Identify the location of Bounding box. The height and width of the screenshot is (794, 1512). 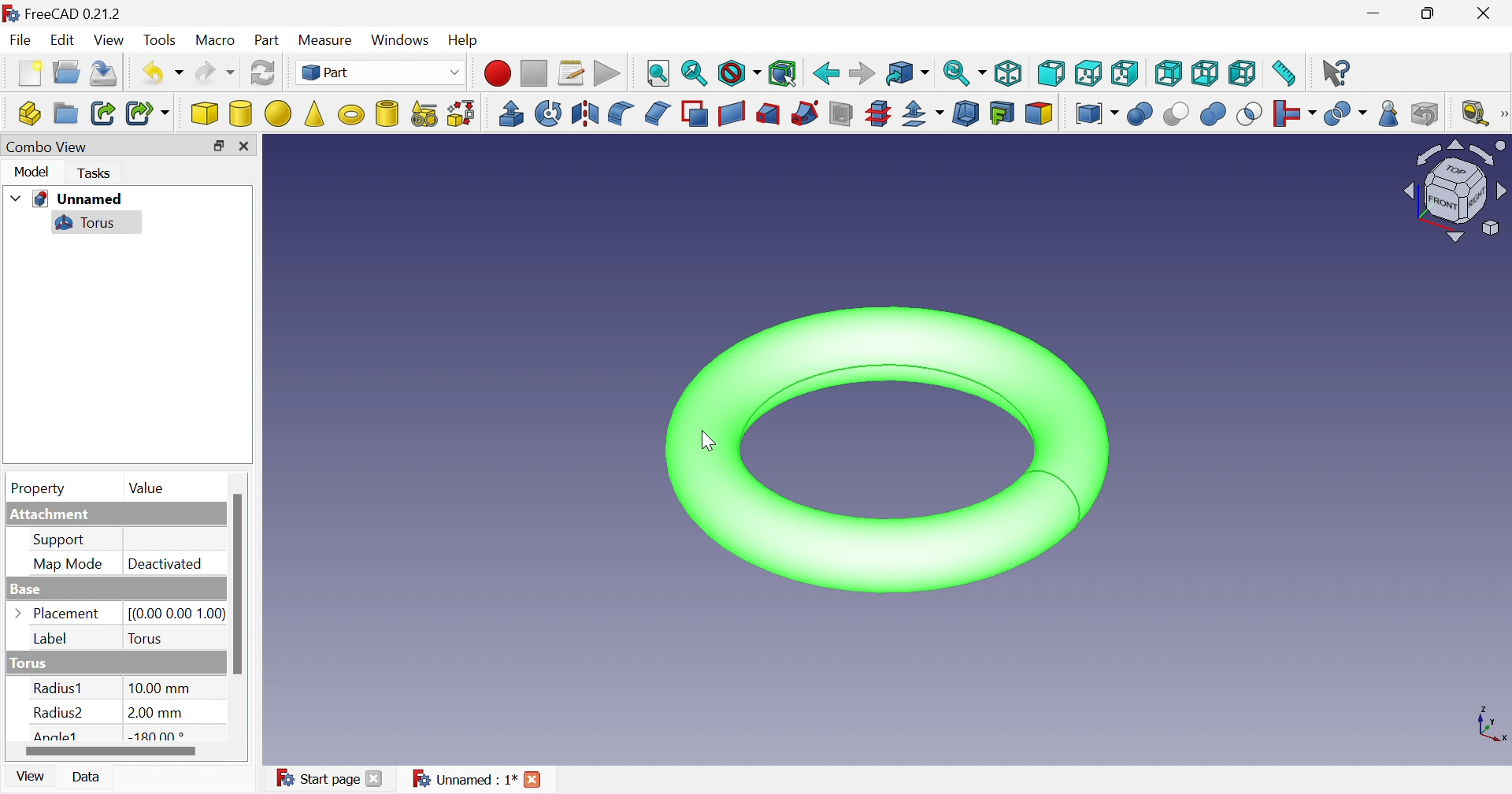
(782, 74).